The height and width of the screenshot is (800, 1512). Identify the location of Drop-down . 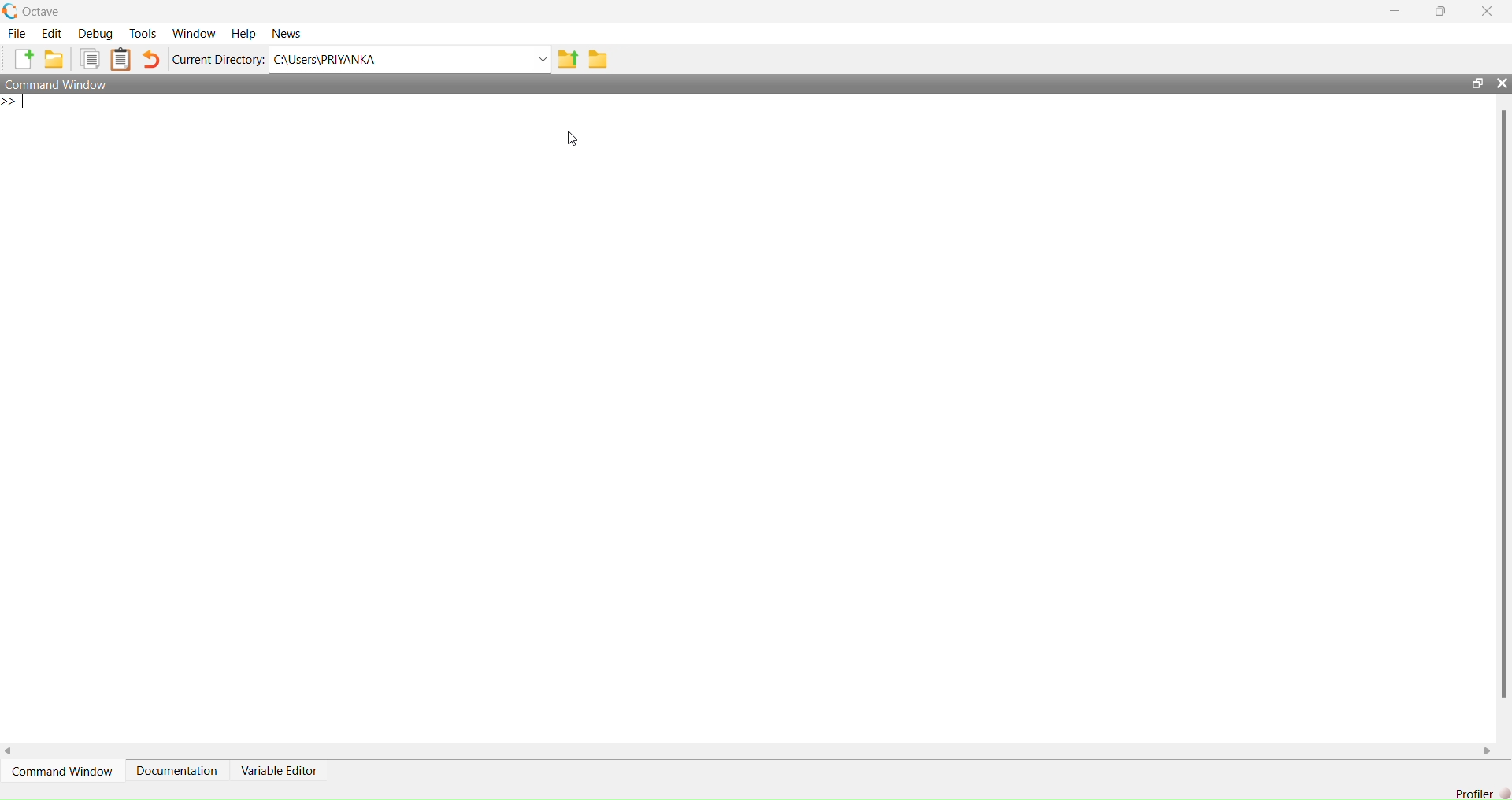
(543, 59).